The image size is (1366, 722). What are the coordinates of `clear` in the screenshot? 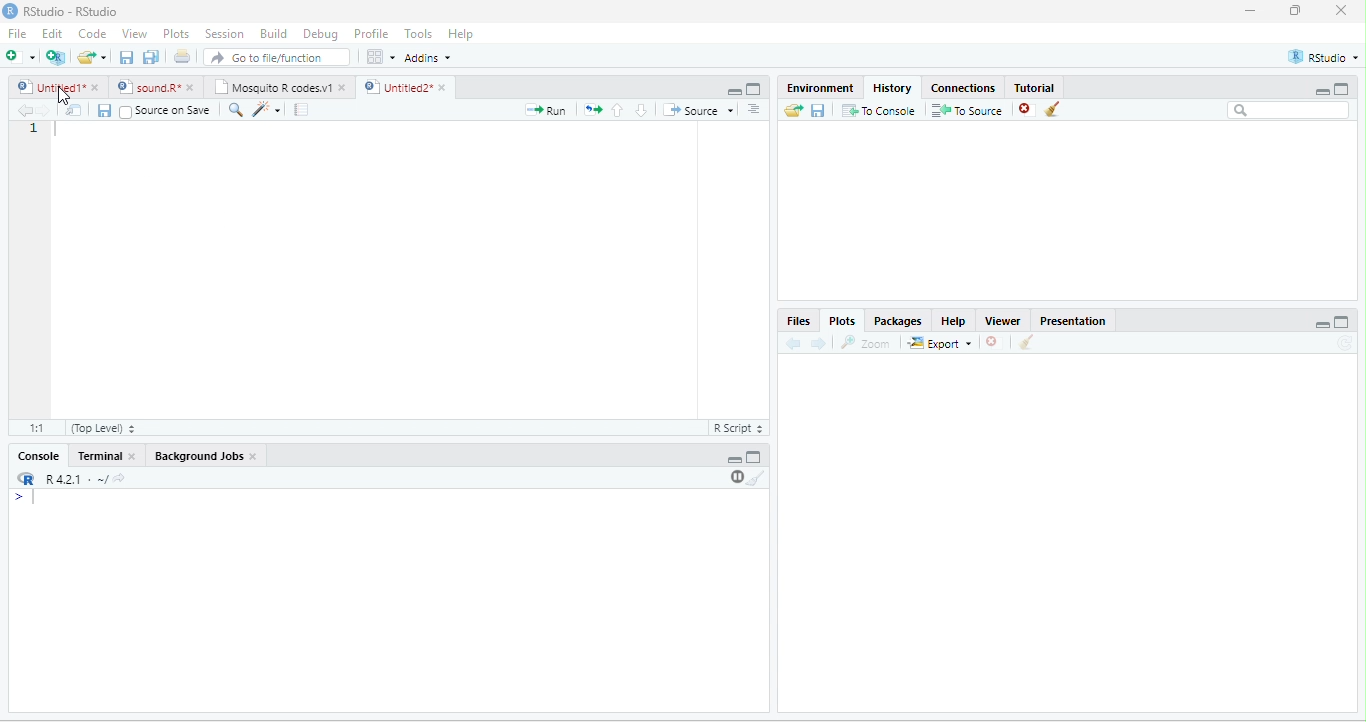 It's located at (1052, 109).